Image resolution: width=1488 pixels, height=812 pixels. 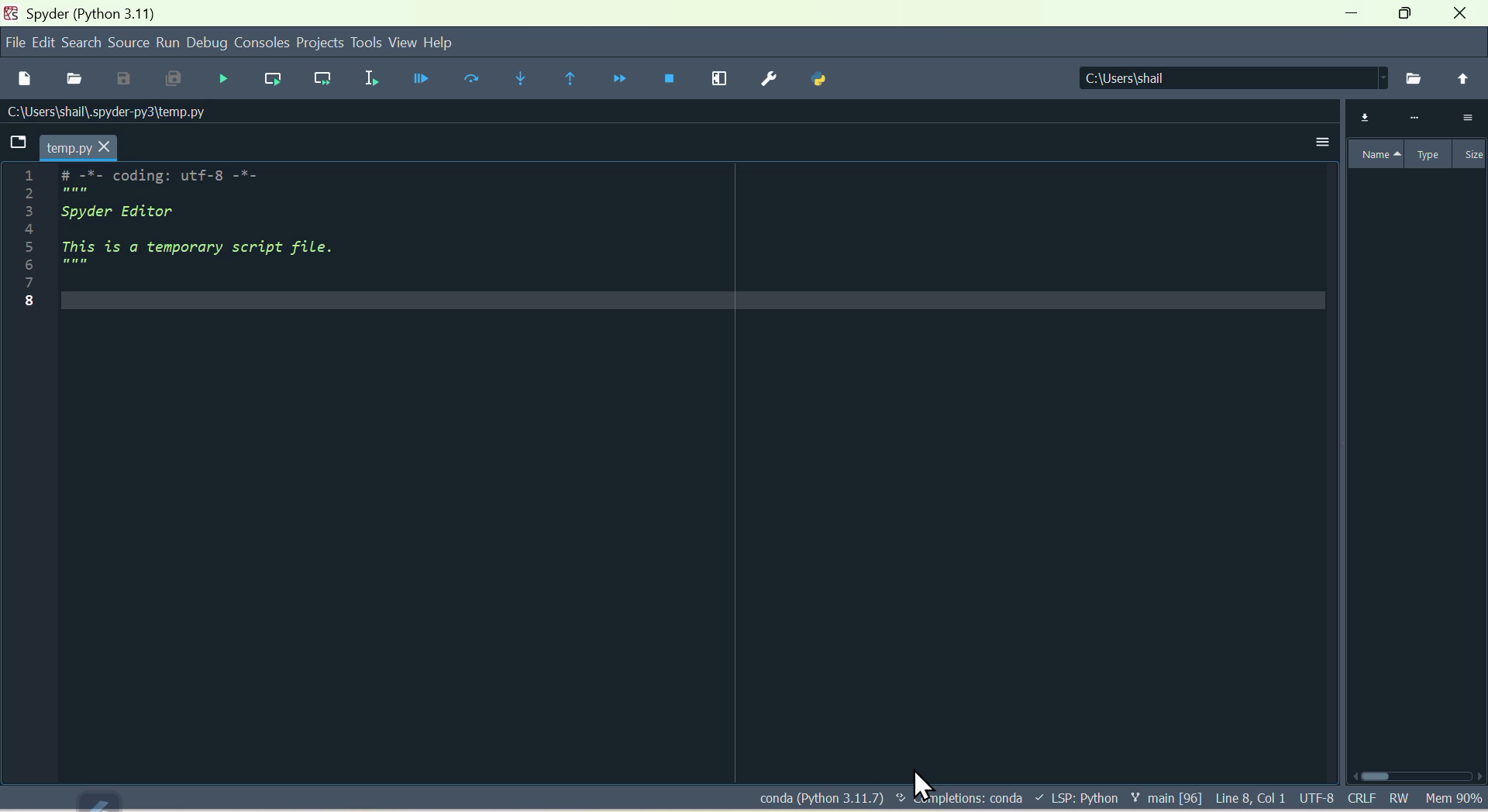 What do you see at coordinates (1119, 800) in the screenshot?
I see `Text - conda (Python 3.11.7) Completions: conda LSP: Python main [96] Line 8, Col 1 UTF-8 CRLF RW Mem 91%` at bounding box center [1119, 800].